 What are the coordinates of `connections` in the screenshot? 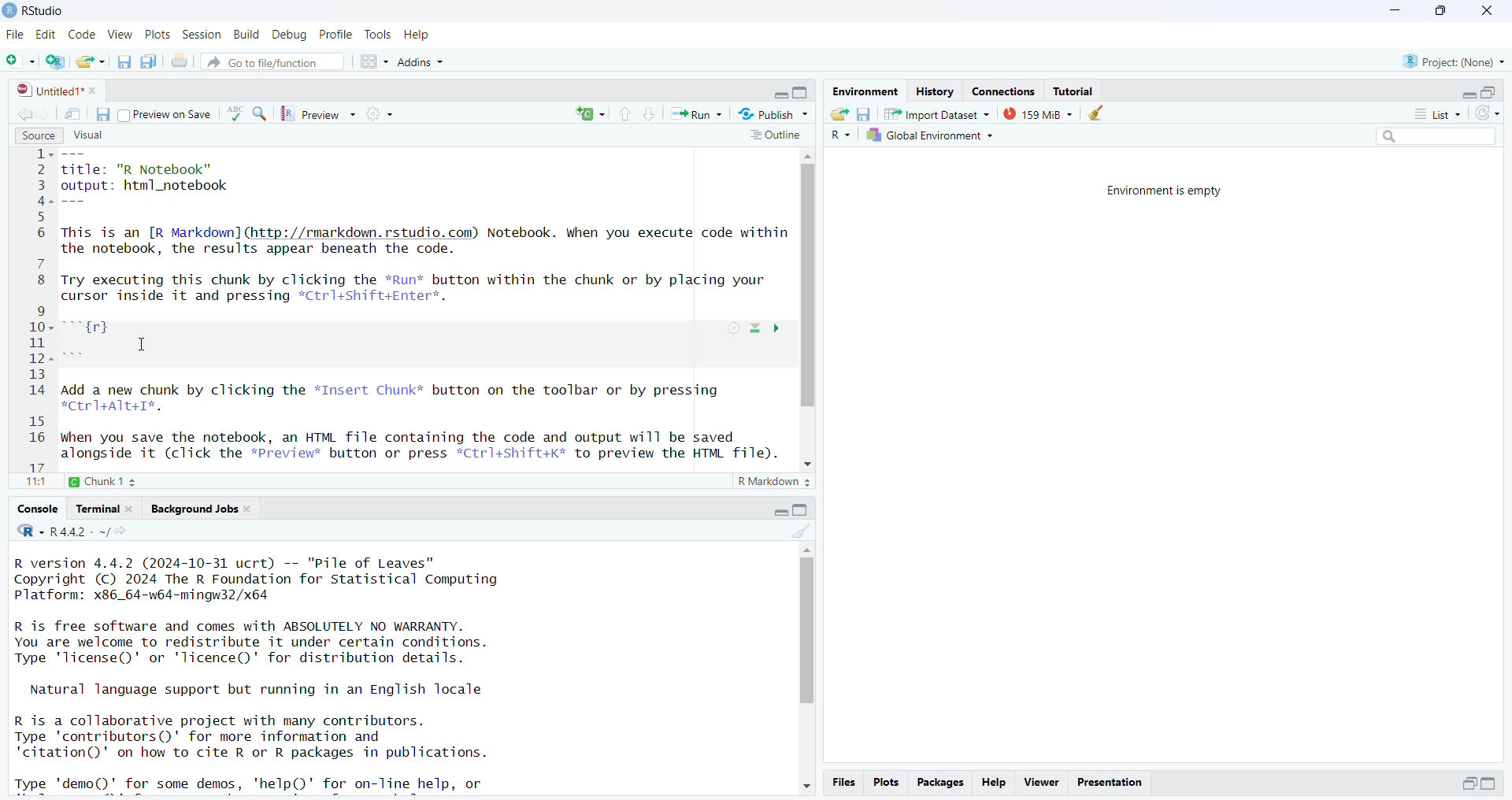 It's located at (1008, 91).